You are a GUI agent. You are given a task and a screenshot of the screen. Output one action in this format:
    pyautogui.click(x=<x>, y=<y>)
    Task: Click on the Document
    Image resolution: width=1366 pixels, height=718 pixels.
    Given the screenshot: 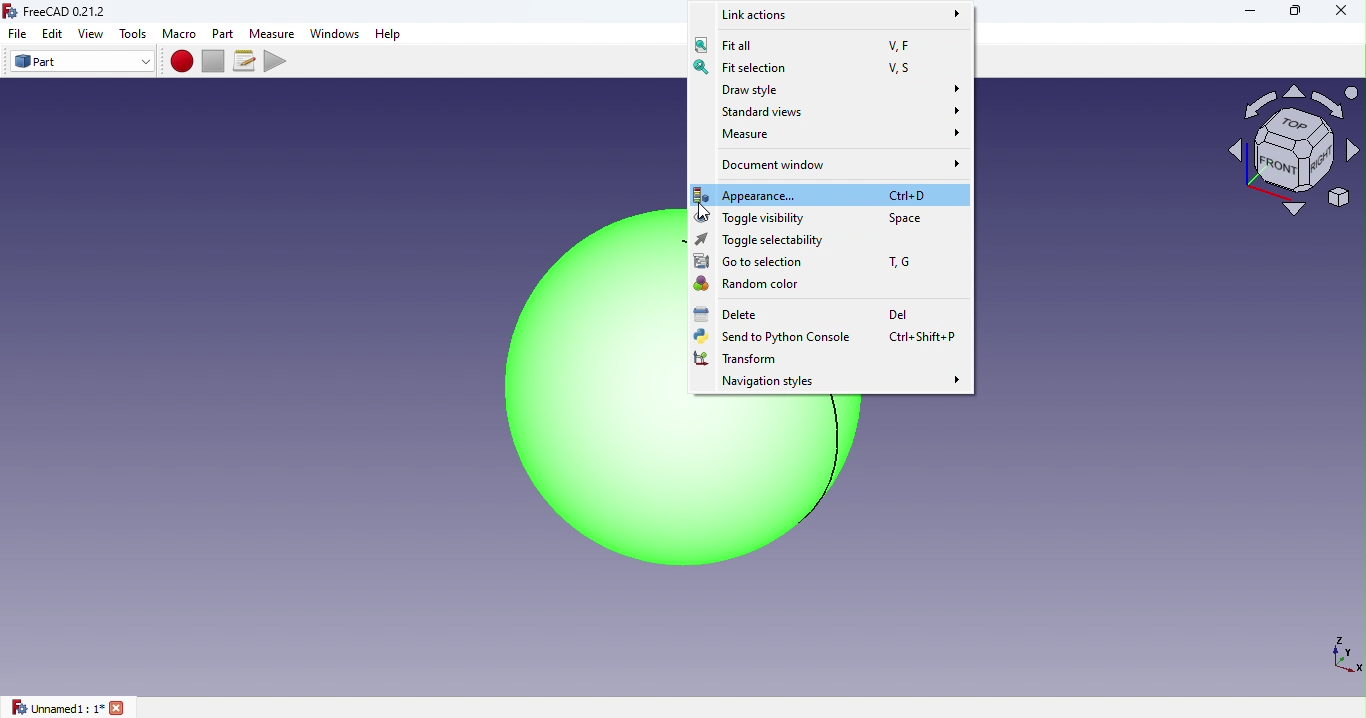 What is the action you would take?
    pyautogui.click(x=835, y=165)
    